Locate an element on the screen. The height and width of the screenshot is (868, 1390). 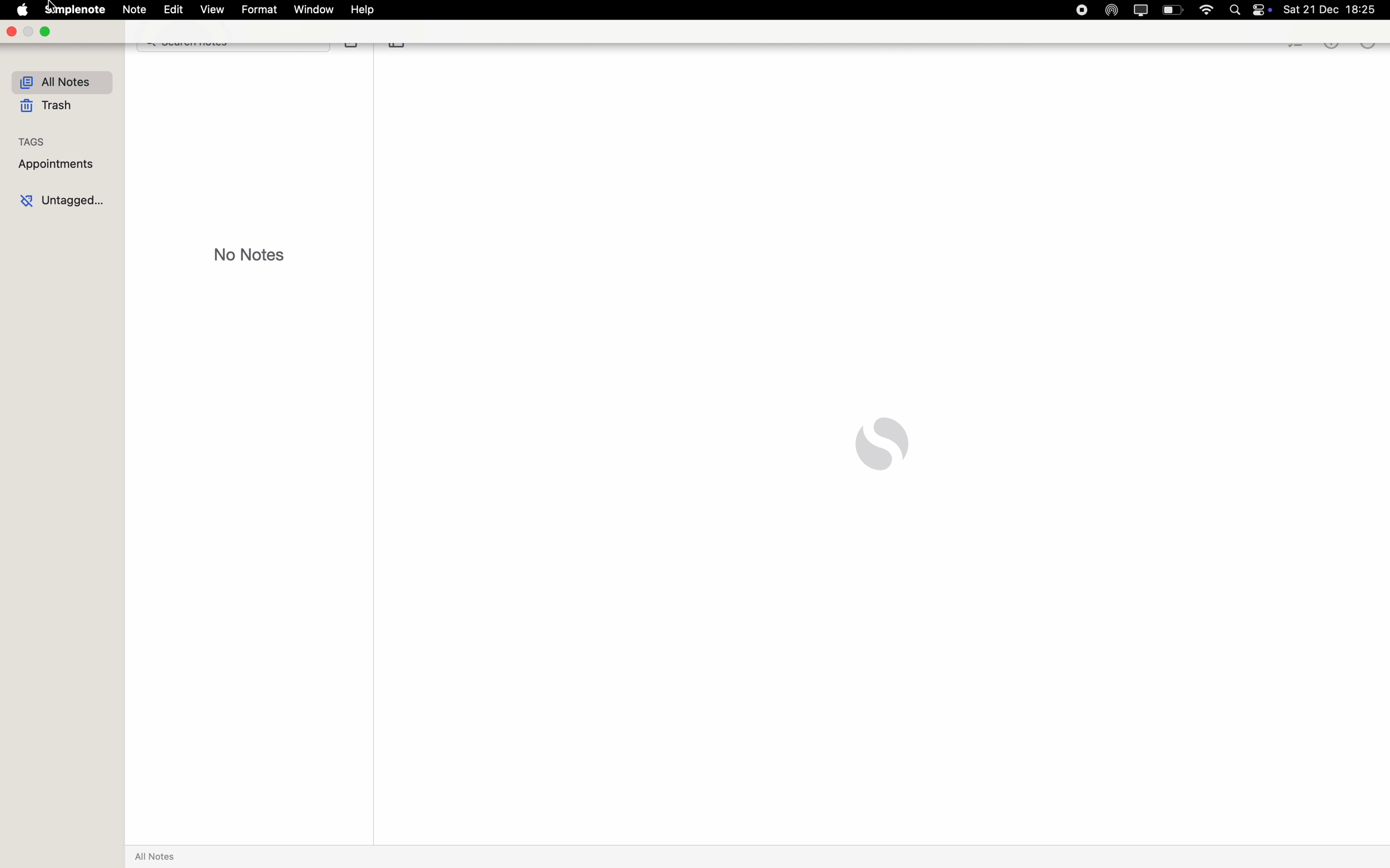
stop recording is located at coordinates (1079, 10).